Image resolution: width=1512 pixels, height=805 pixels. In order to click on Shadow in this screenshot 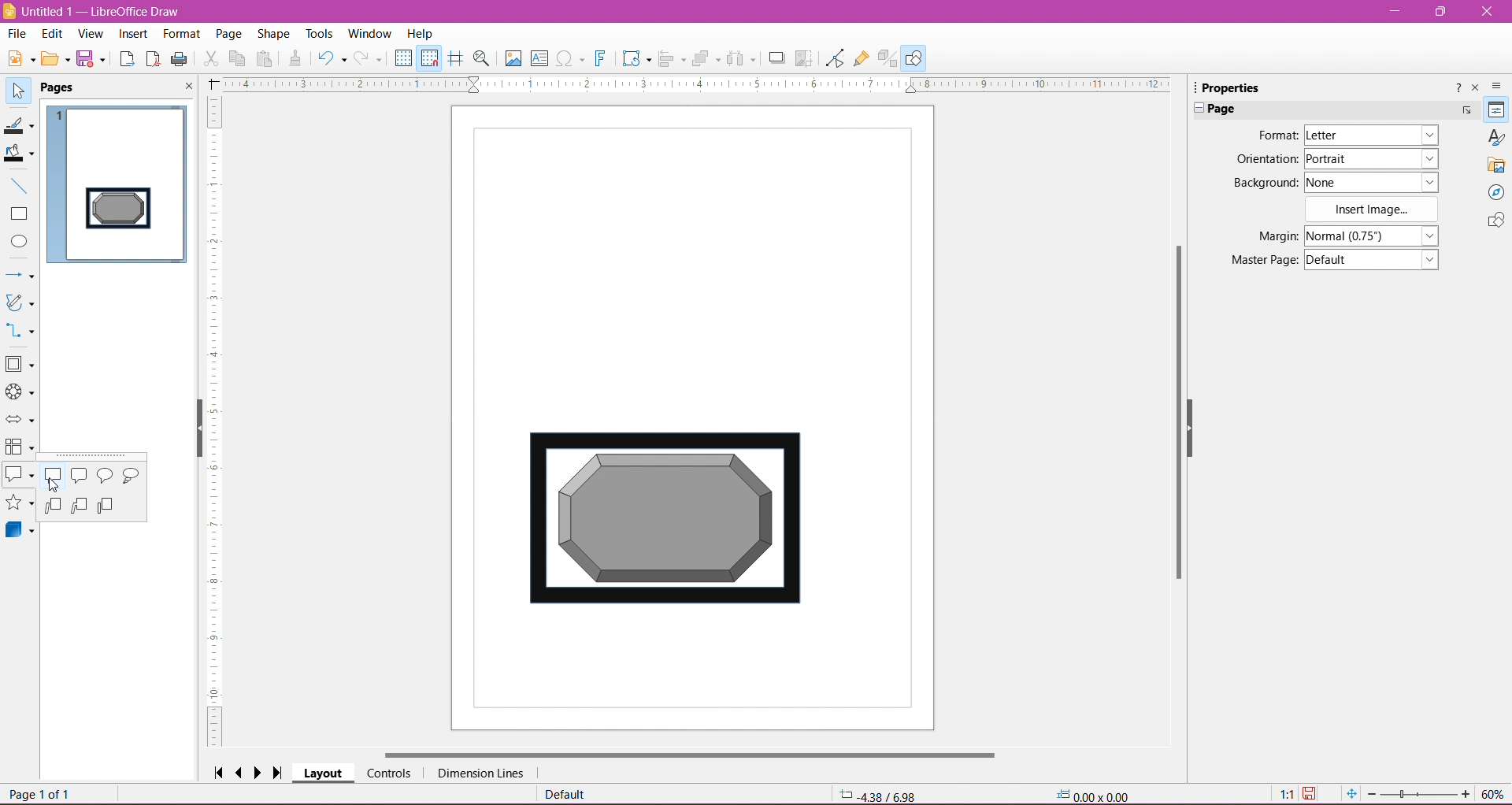, I will do `click(774, 58)`.